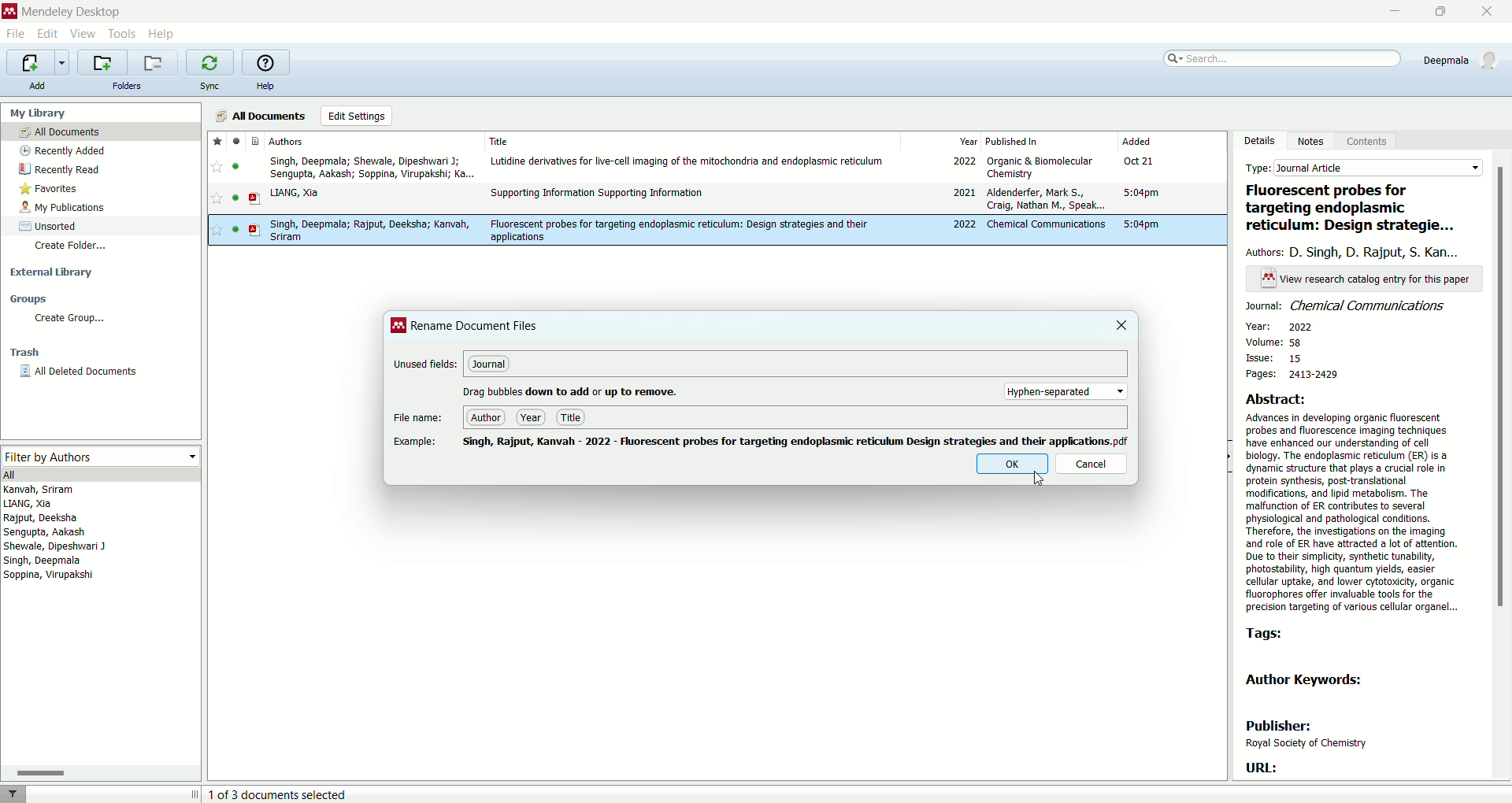 Image resolution: width=1512 pixels, height=803 pixels. Describe the element at coordinates (532, 417) in the screenshot. I see `year` at that location.